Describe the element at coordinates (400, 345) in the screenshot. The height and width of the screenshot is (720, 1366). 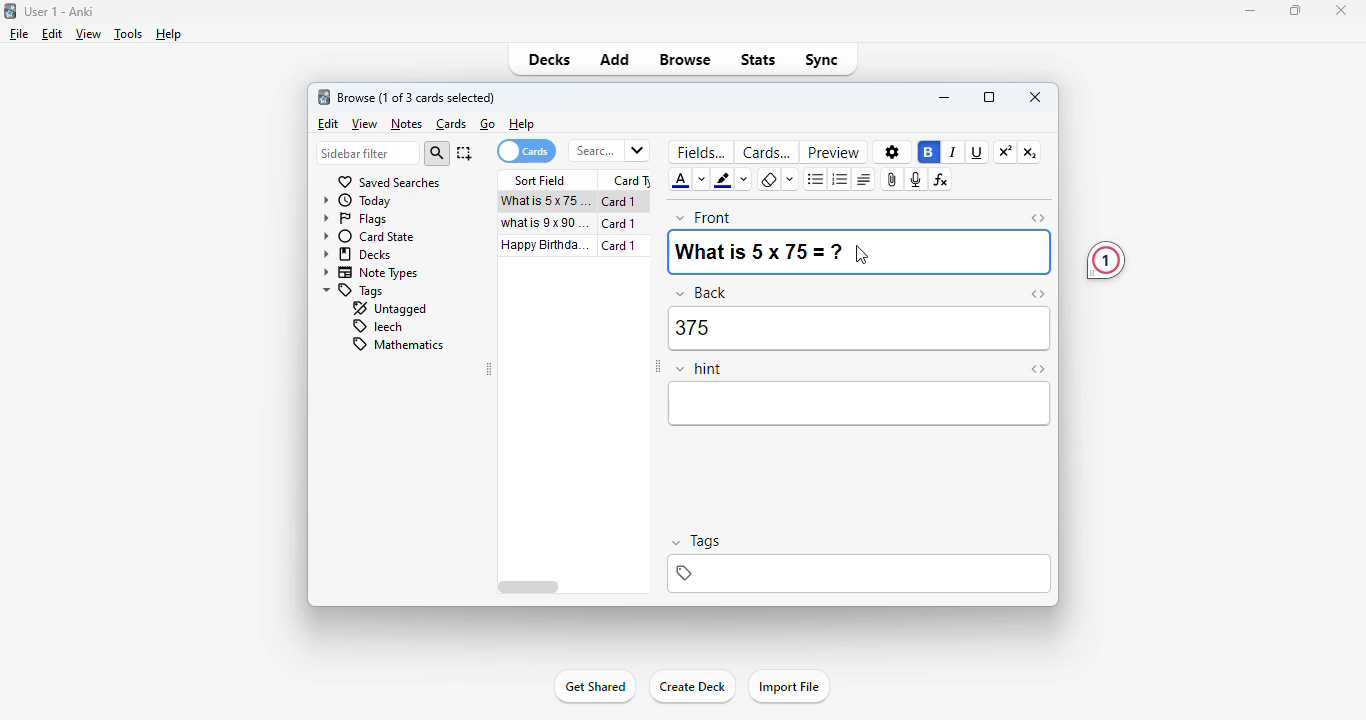
I see `mathematics` at that location.